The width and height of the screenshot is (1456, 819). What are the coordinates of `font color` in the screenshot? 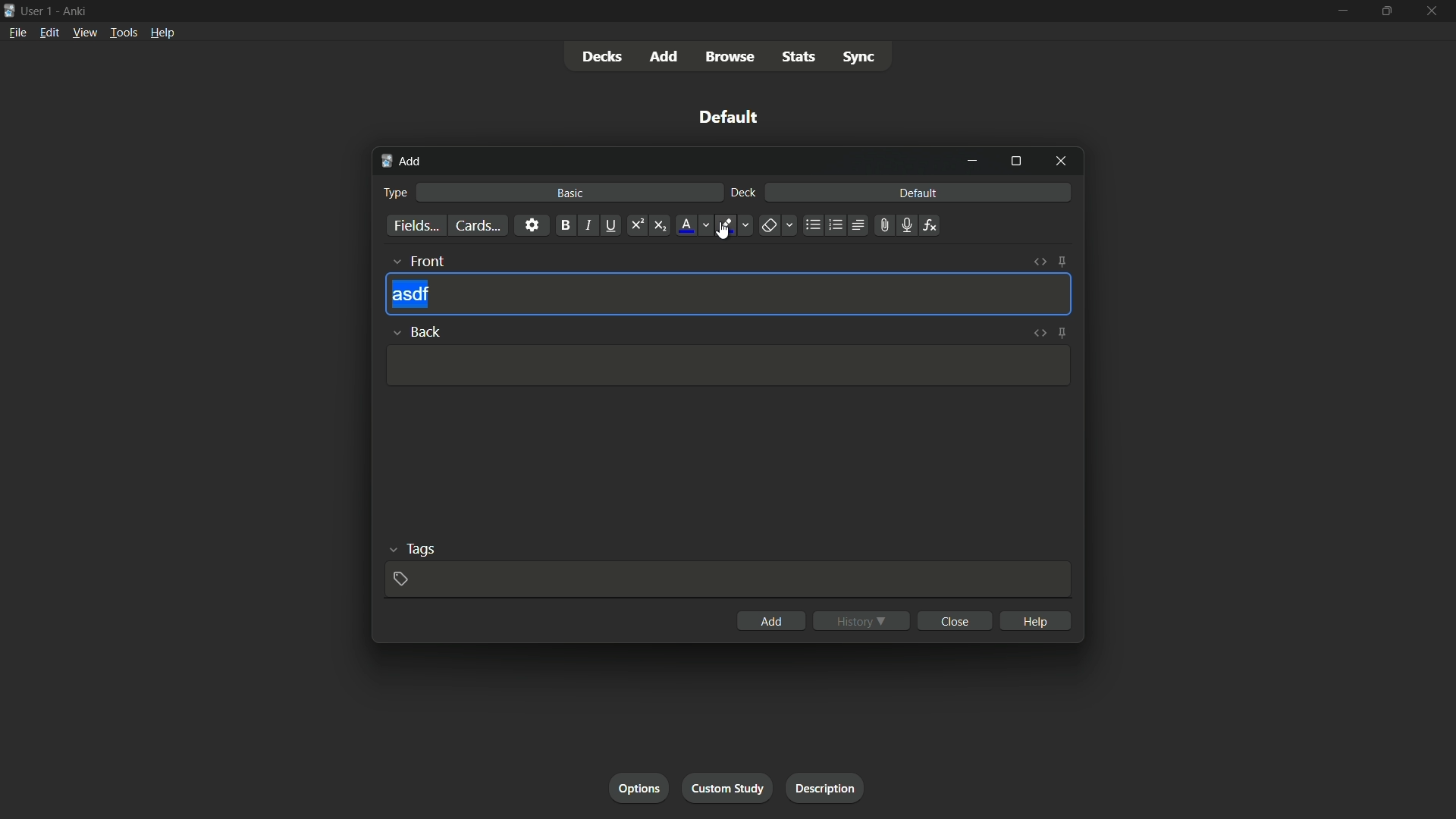 It's located at (693, 225).